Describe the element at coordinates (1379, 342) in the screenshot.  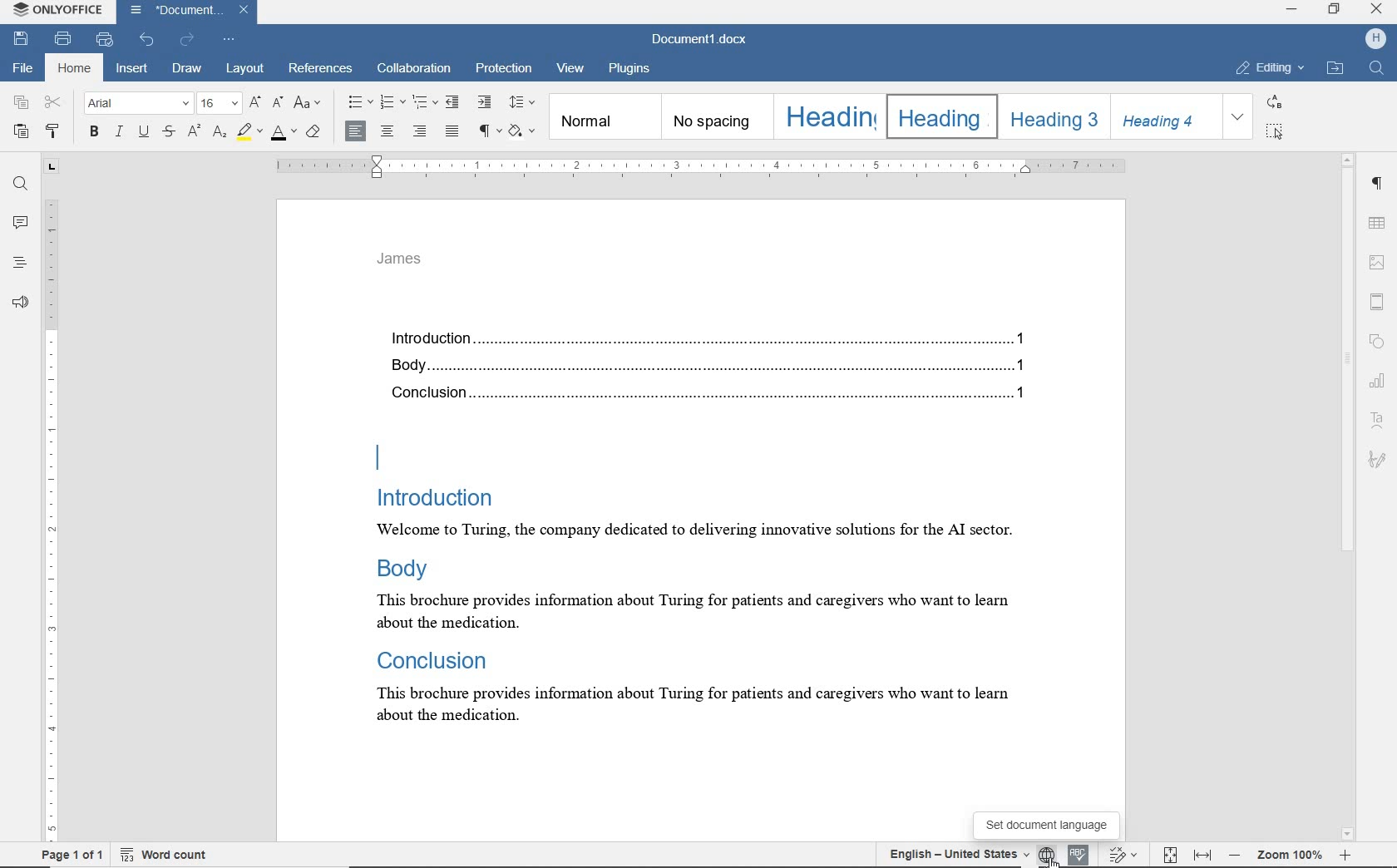
I see `shape` at that location.